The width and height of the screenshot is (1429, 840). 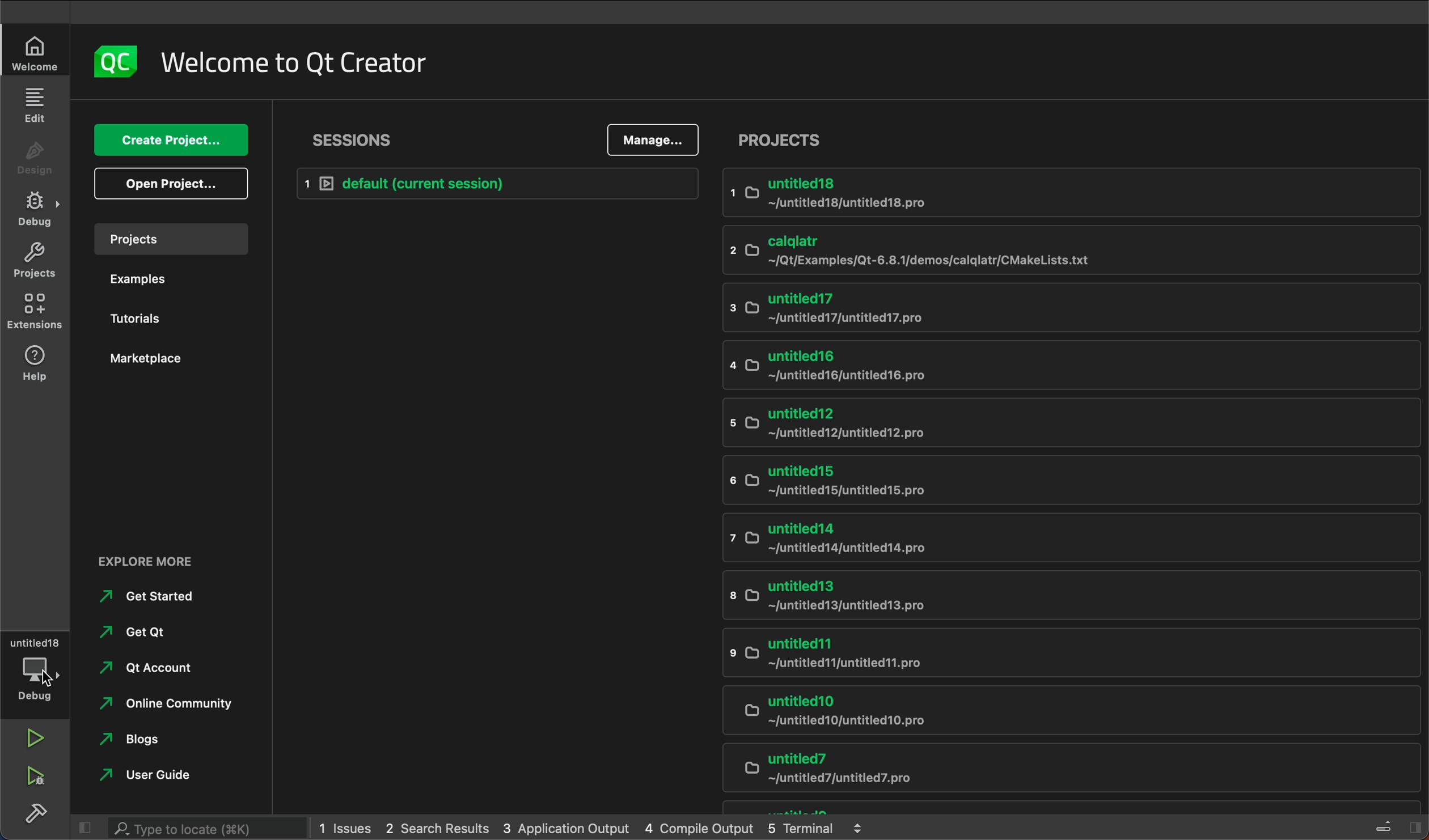 I want to click on user guide, so click(x=153, y=775).